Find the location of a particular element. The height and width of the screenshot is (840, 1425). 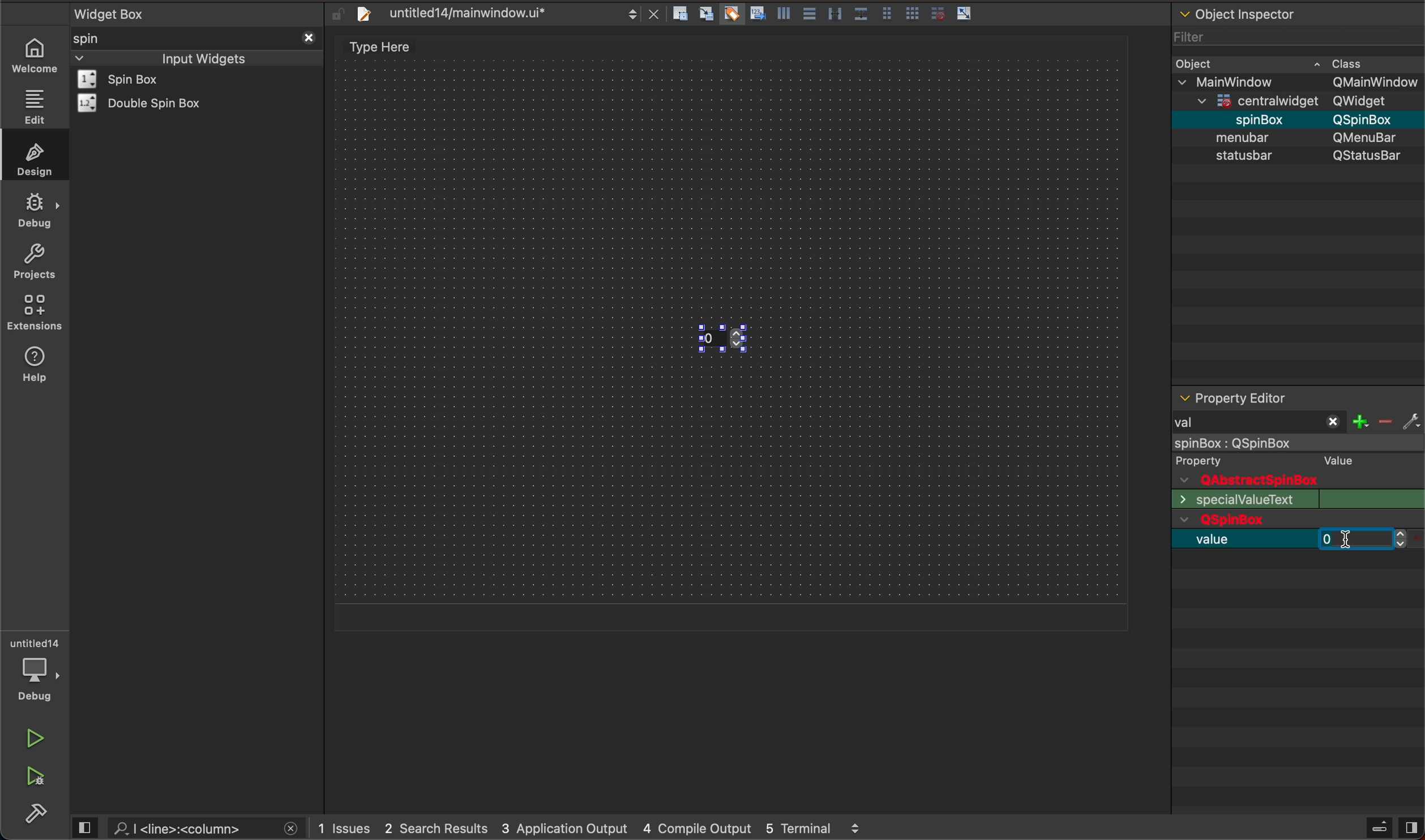

WELCOME is located at coordinates (36, 56).